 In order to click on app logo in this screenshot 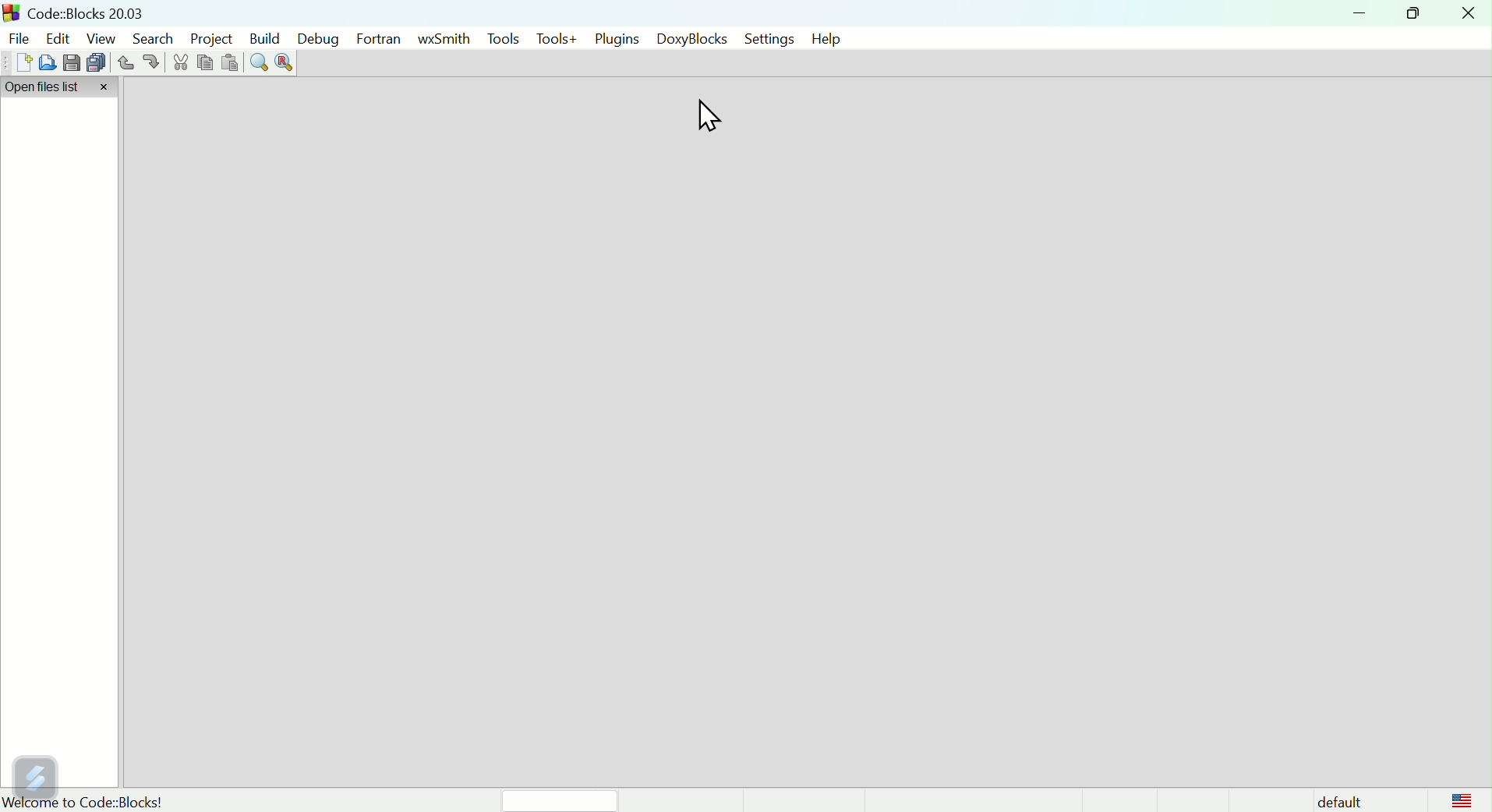, I will do `click(9, 13)`.